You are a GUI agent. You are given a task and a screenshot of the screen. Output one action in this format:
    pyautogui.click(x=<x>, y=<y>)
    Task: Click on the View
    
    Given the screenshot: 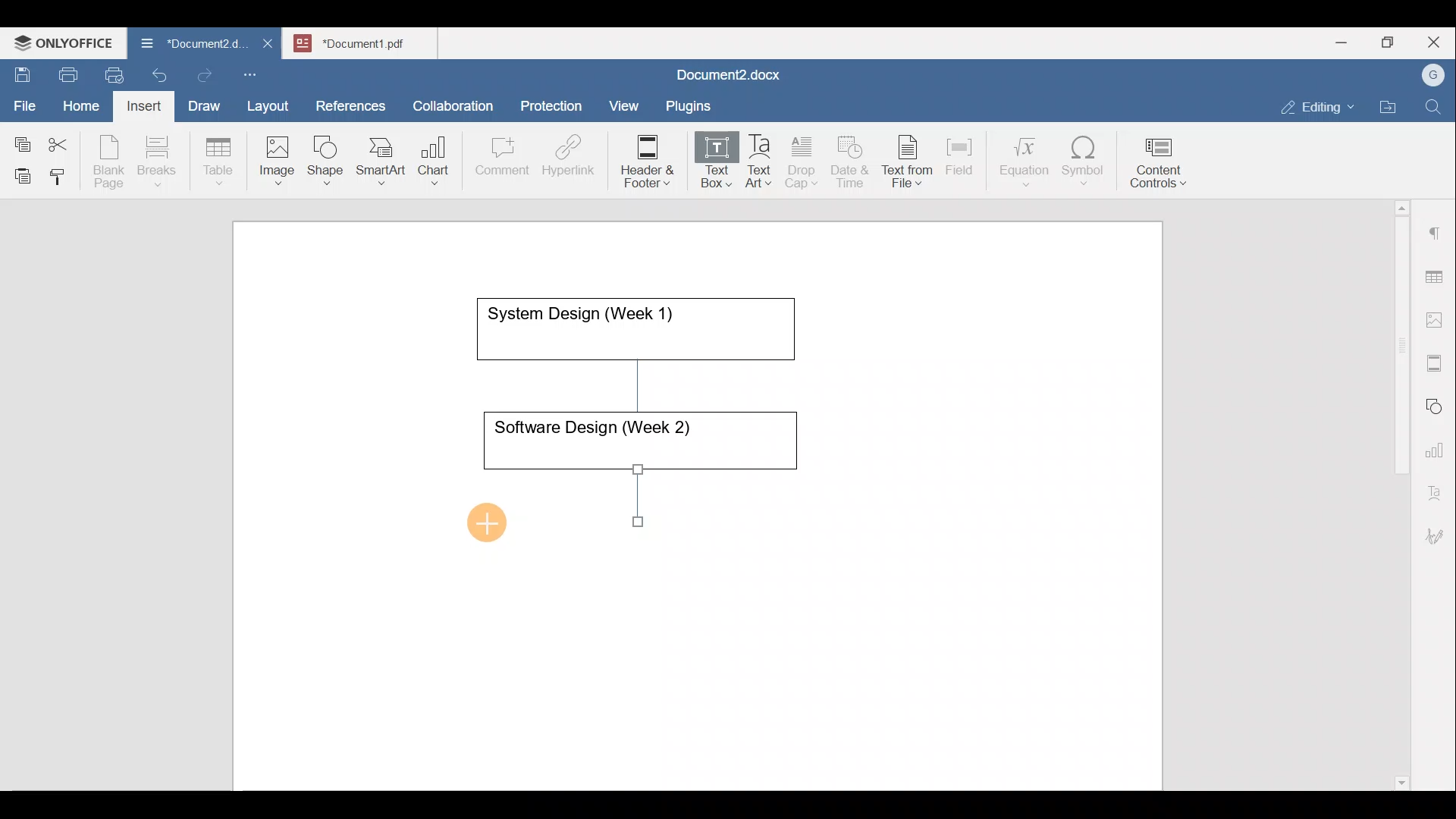 What is the action you would take?
    pyautogui.click(x=625, y=101)
    